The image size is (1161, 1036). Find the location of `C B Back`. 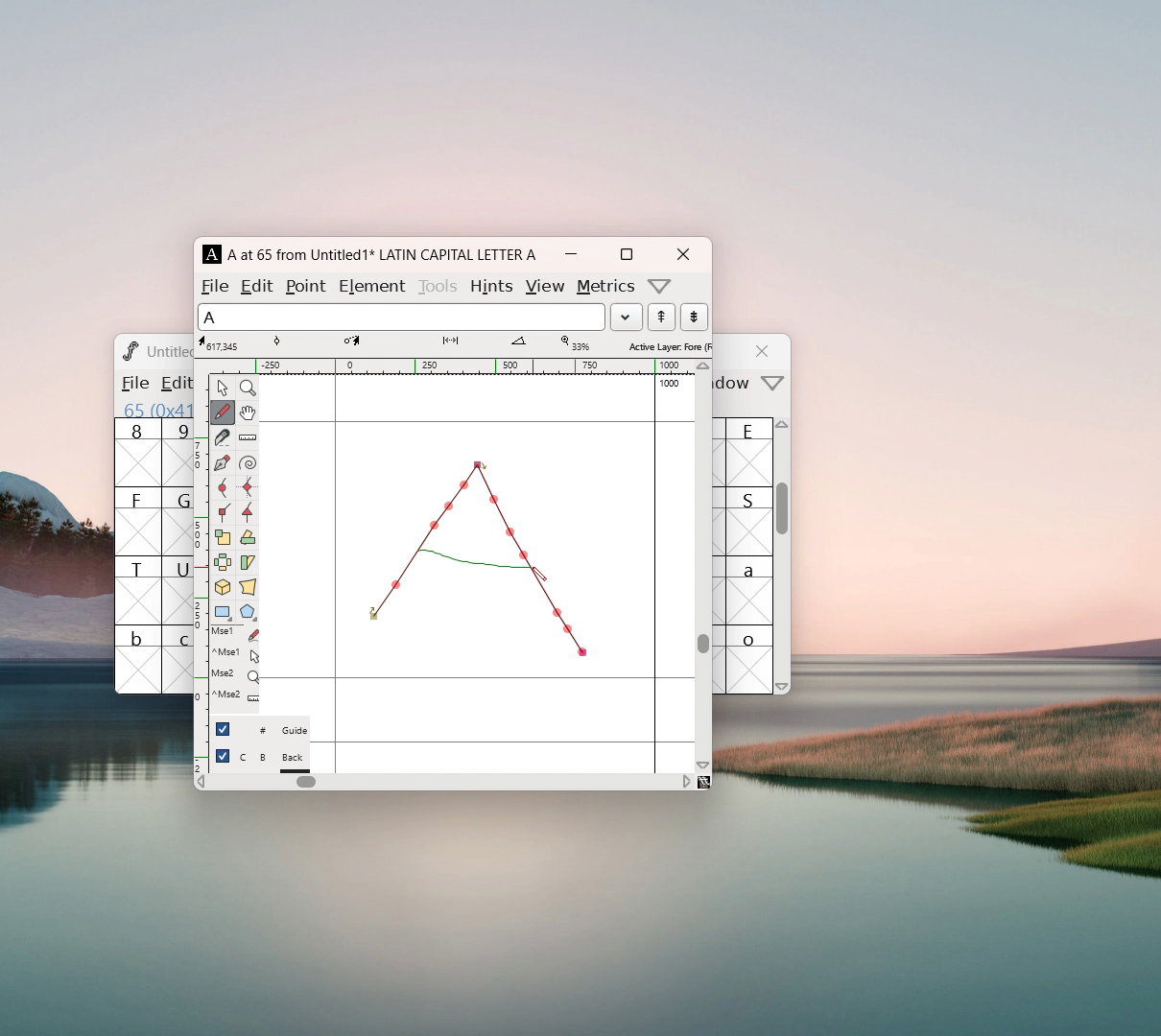

C B Back is located at coordinates (273, 760).